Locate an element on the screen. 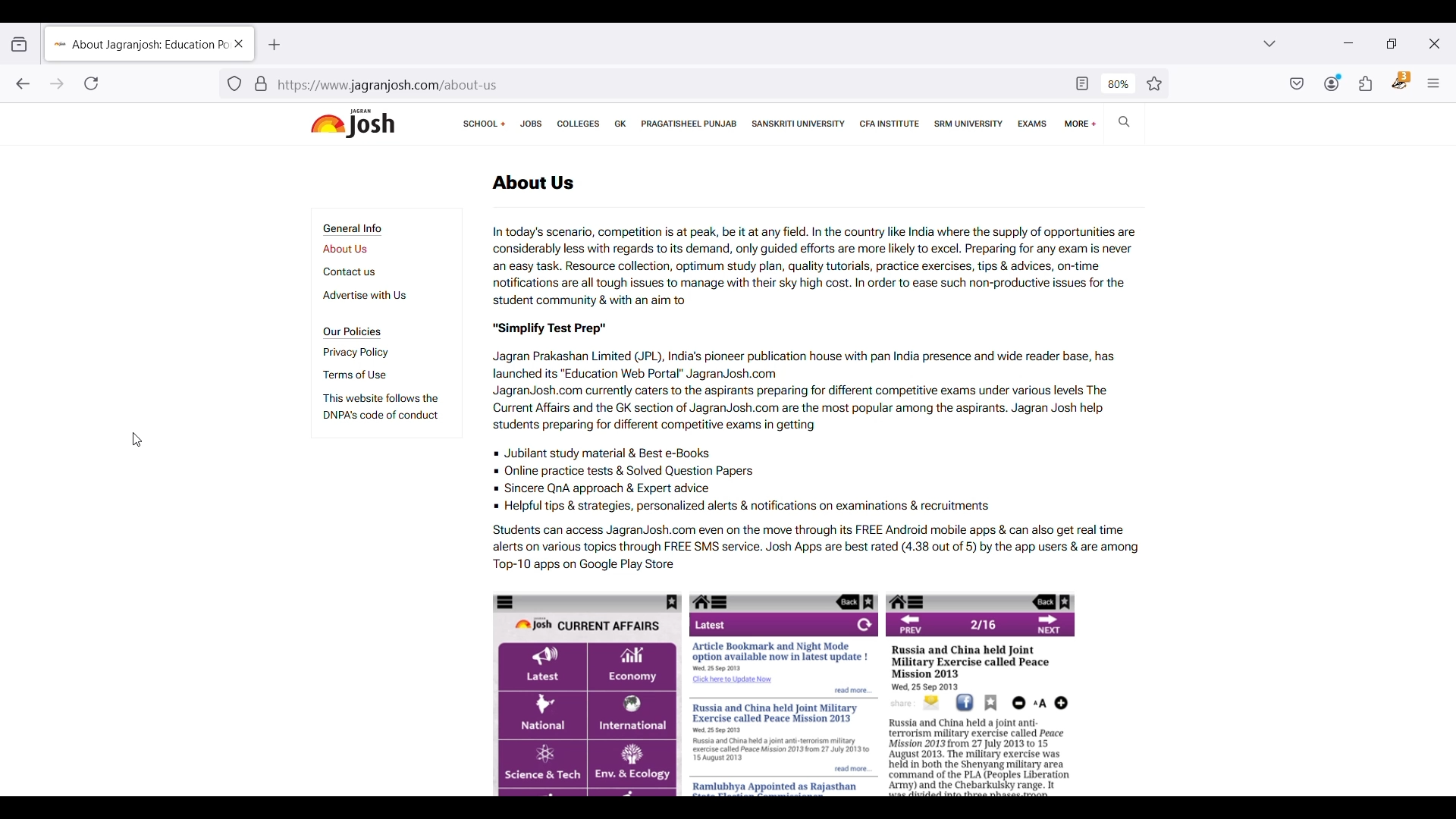  Jobs page is located at coordinates (532, 123).